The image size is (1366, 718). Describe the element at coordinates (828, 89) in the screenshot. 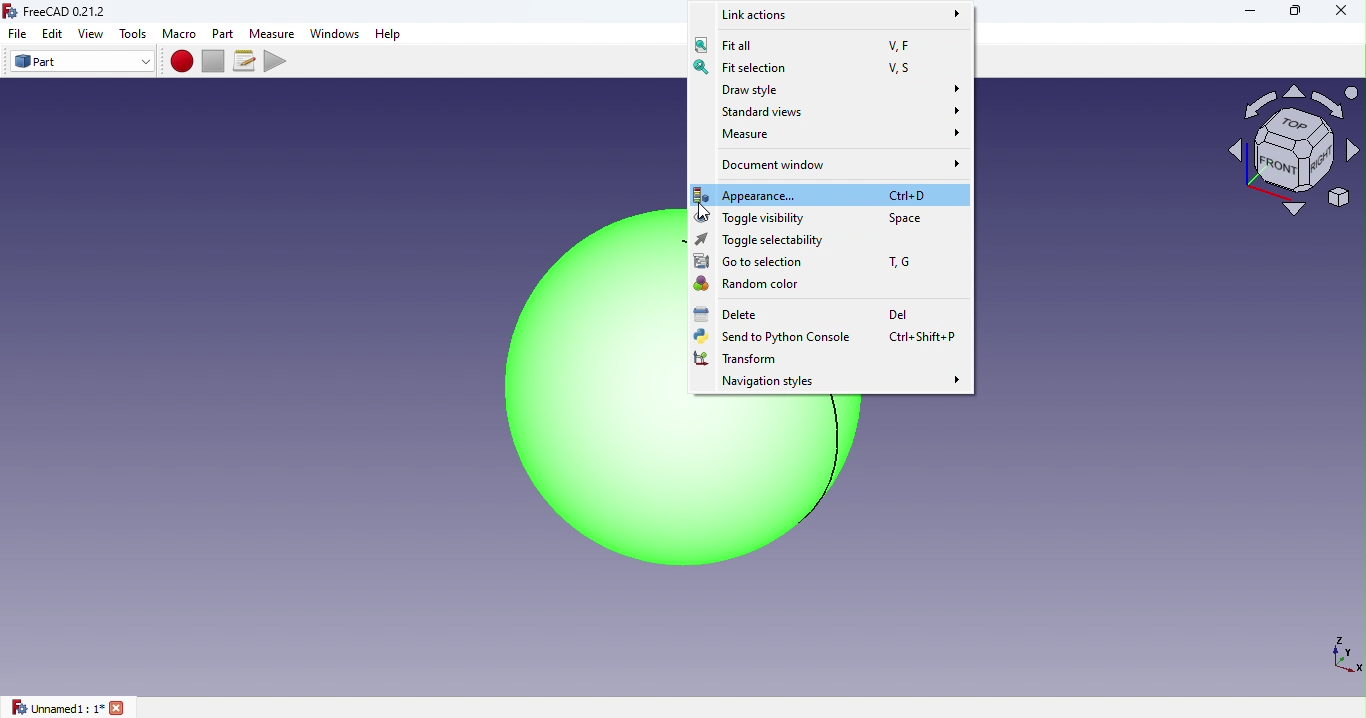

I see `Draw style` at that location.